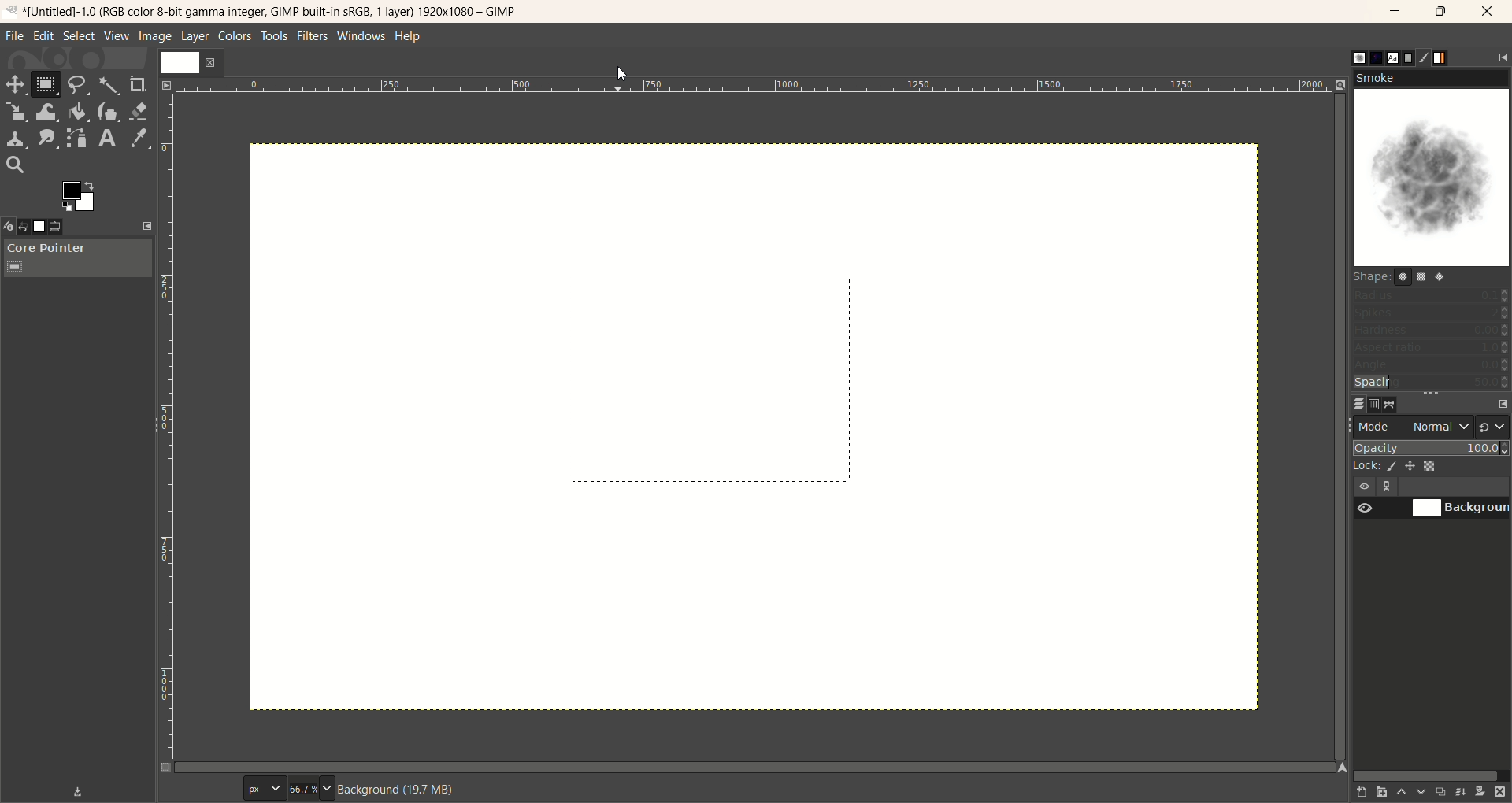 The width and height of the screenshot is (1512, 803). I want to click on scale bar, so click(173, 429).